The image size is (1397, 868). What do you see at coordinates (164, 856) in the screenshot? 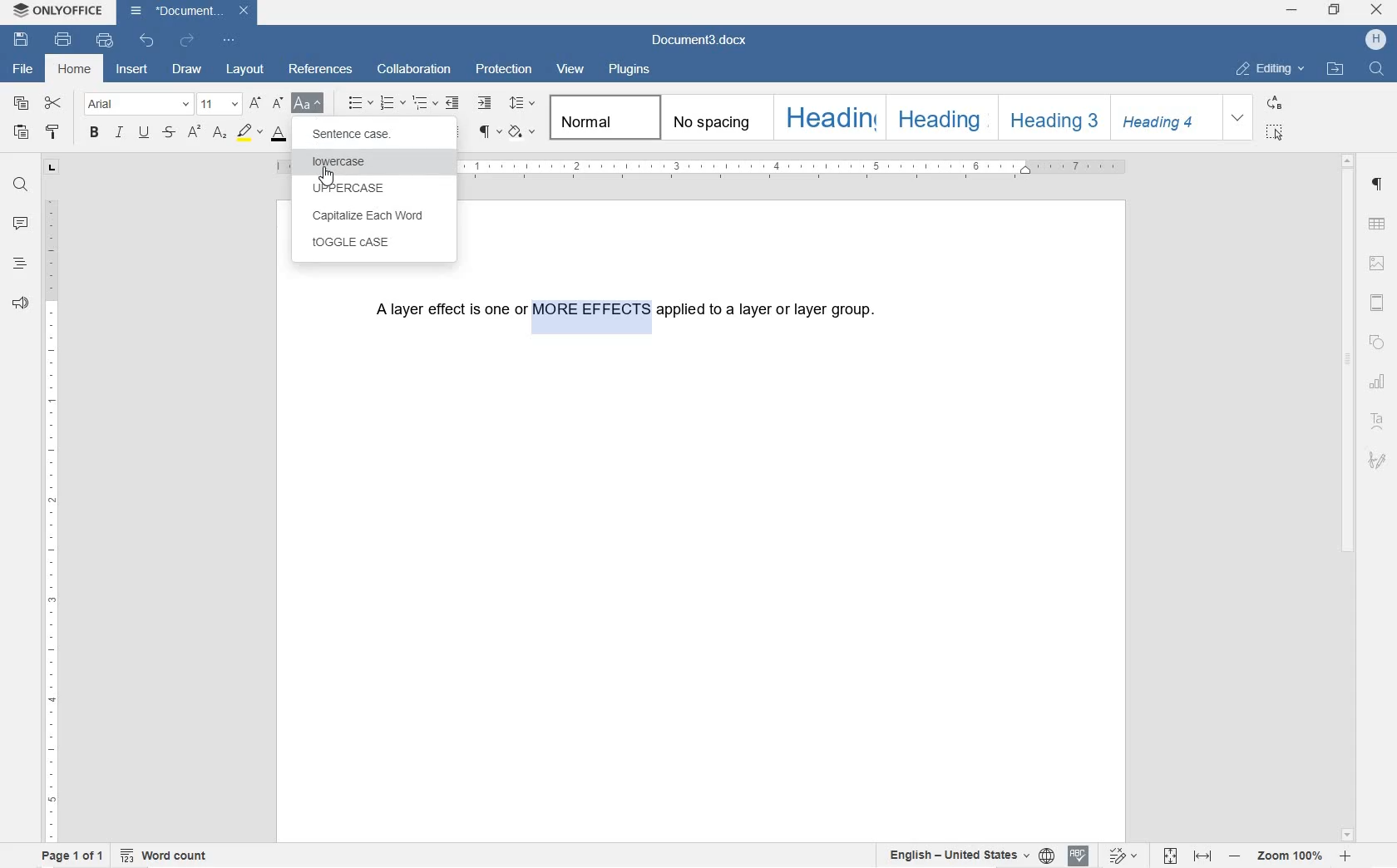
I see `WORD COUNT` at bounding box center [164, 856].